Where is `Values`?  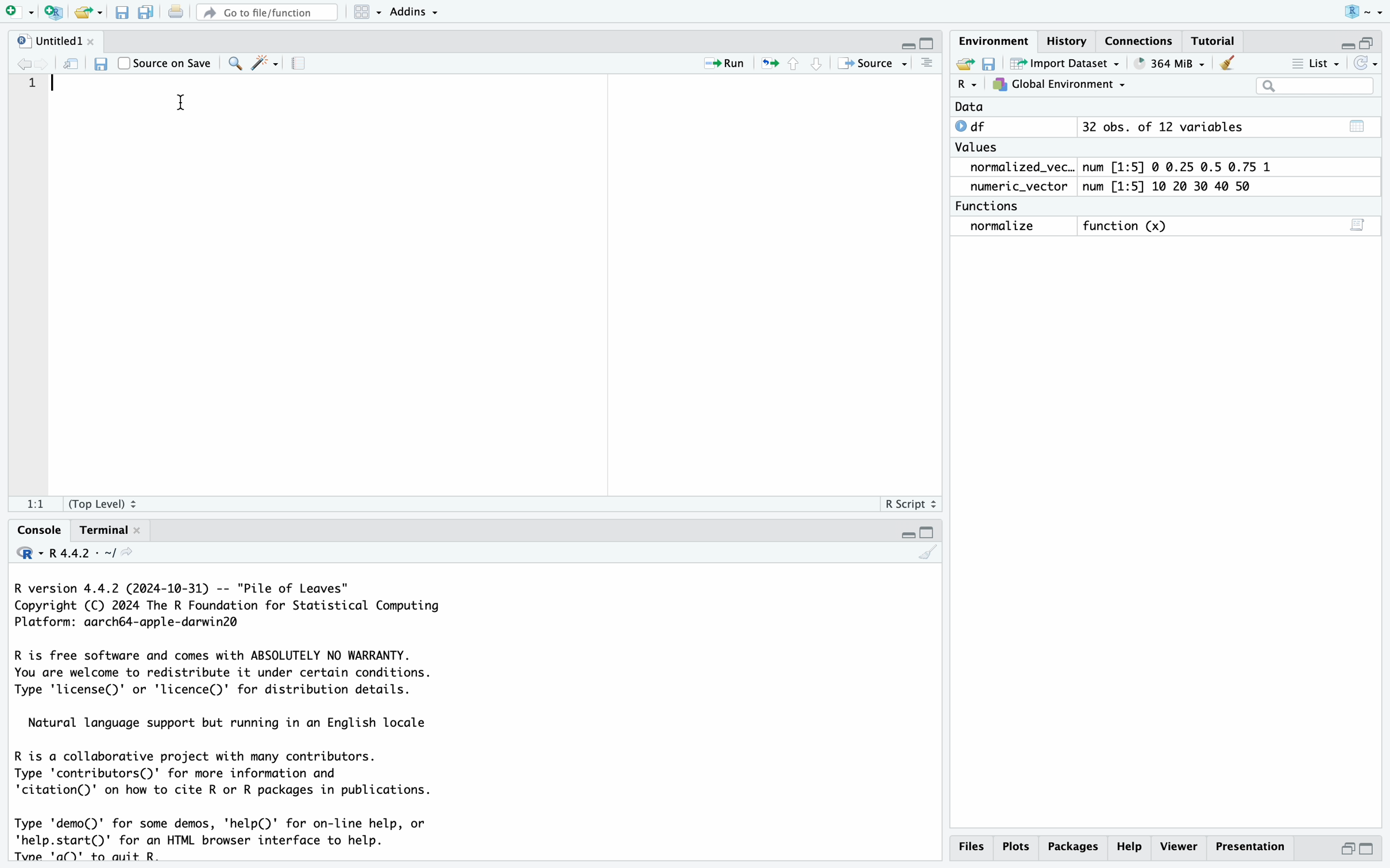
Values is located at coordinates (976, 150).